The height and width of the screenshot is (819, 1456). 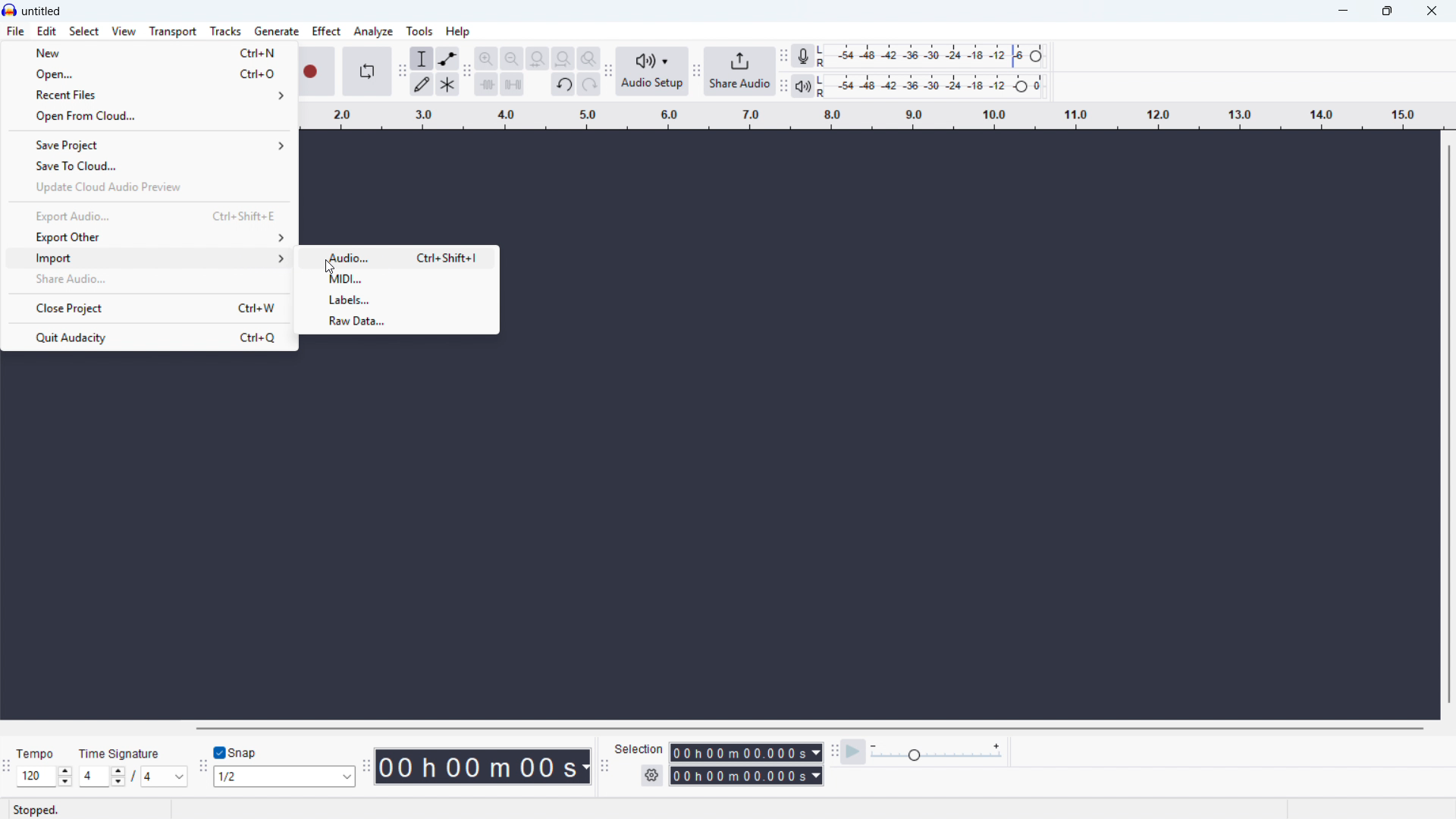 I want to click on Recording metre , so click(x=802, y=56).